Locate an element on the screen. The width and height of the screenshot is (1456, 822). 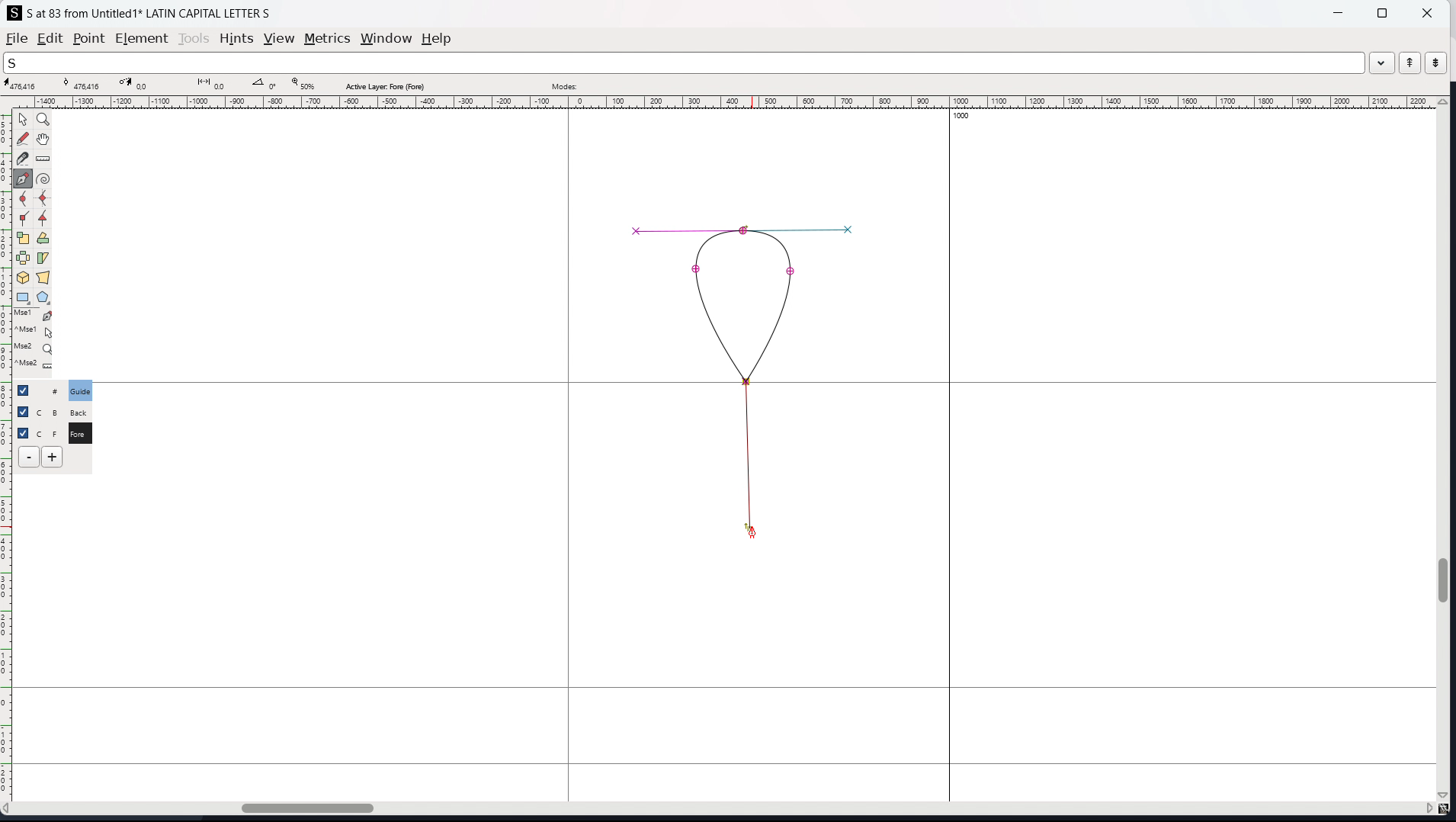
# Guide is located at coordinates (82, 390).